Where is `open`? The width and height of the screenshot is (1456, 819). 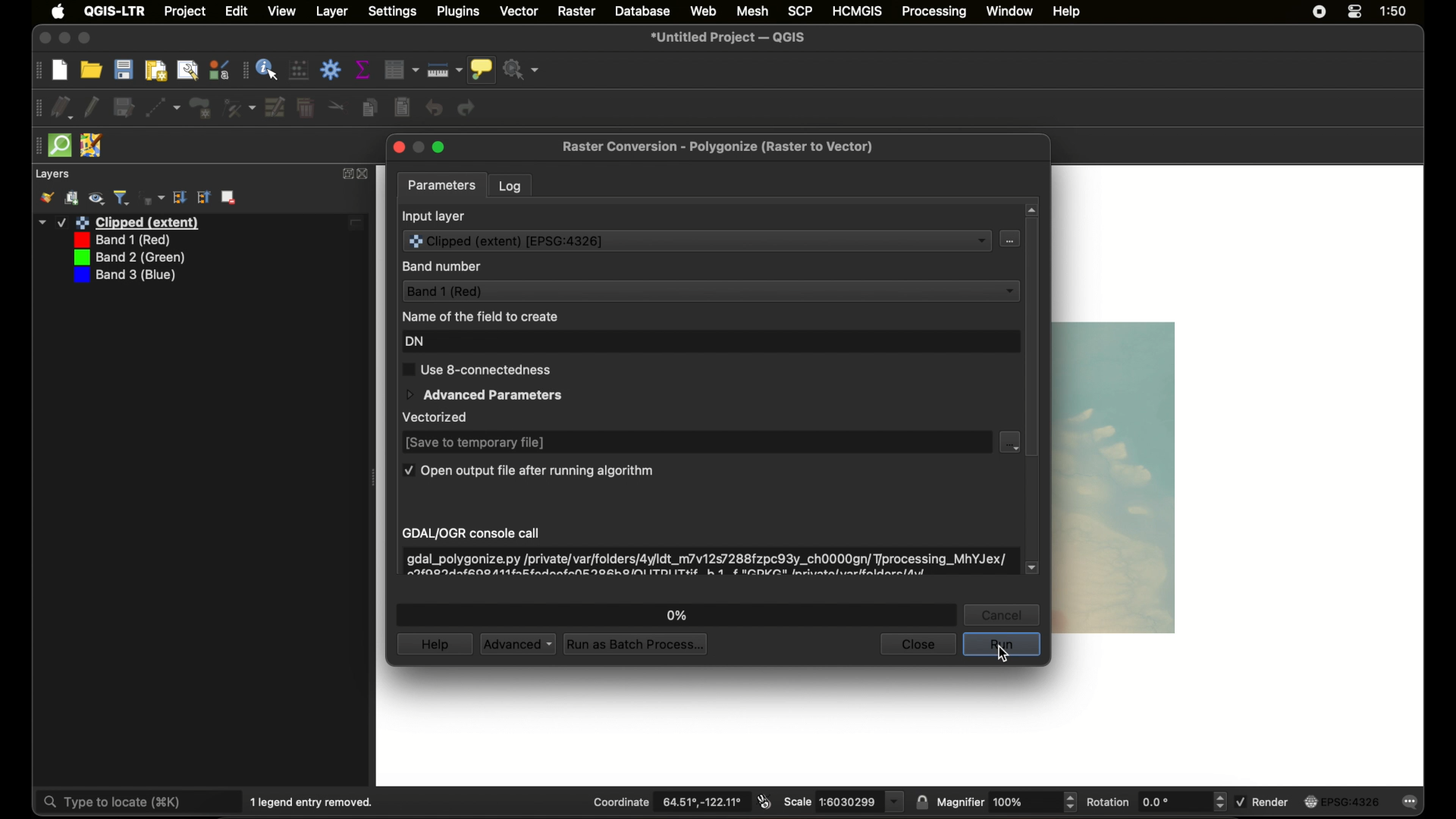
open is located at coordinates (91, 69).